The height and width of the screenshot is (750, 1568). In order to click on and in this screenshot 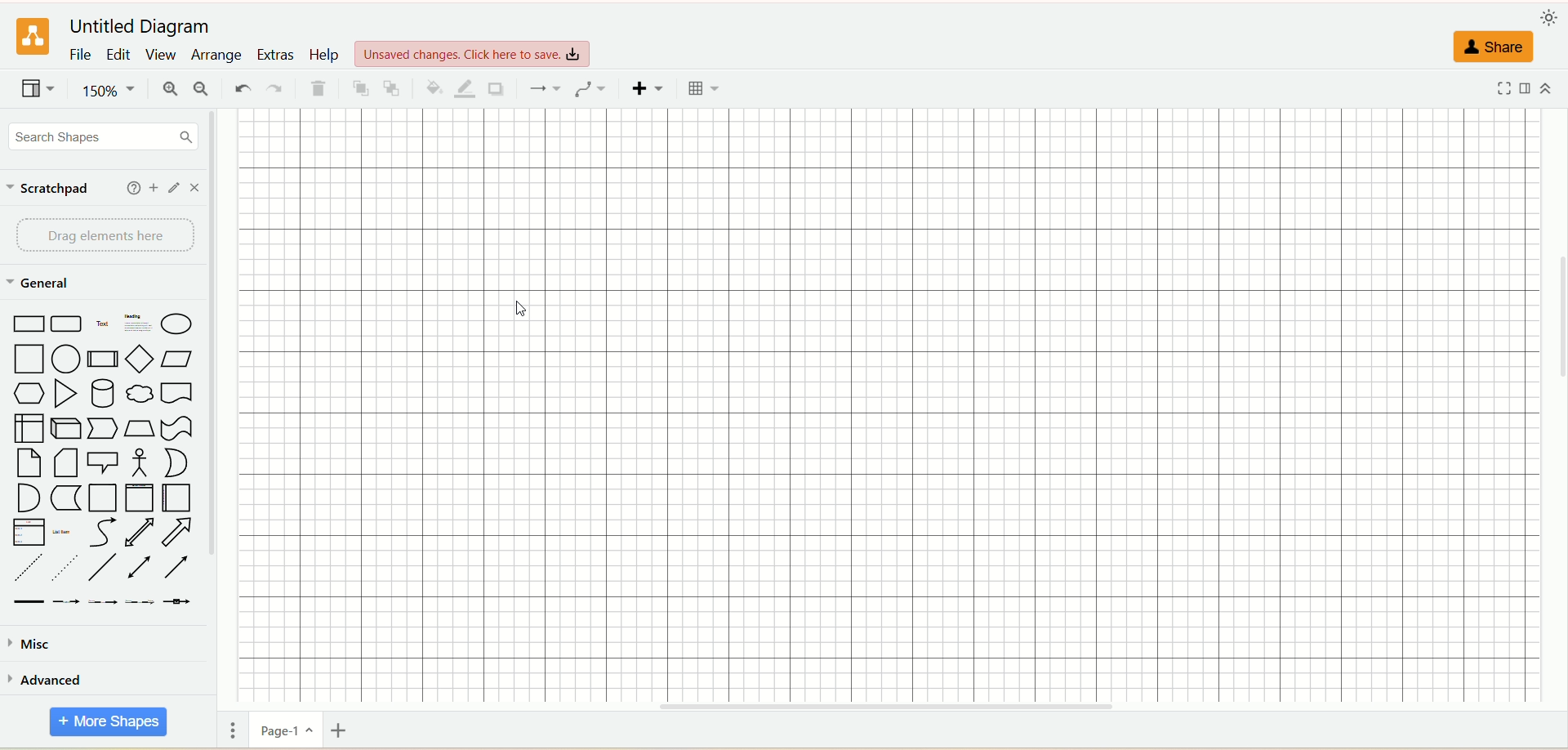, I will do `click(29, 497)`.